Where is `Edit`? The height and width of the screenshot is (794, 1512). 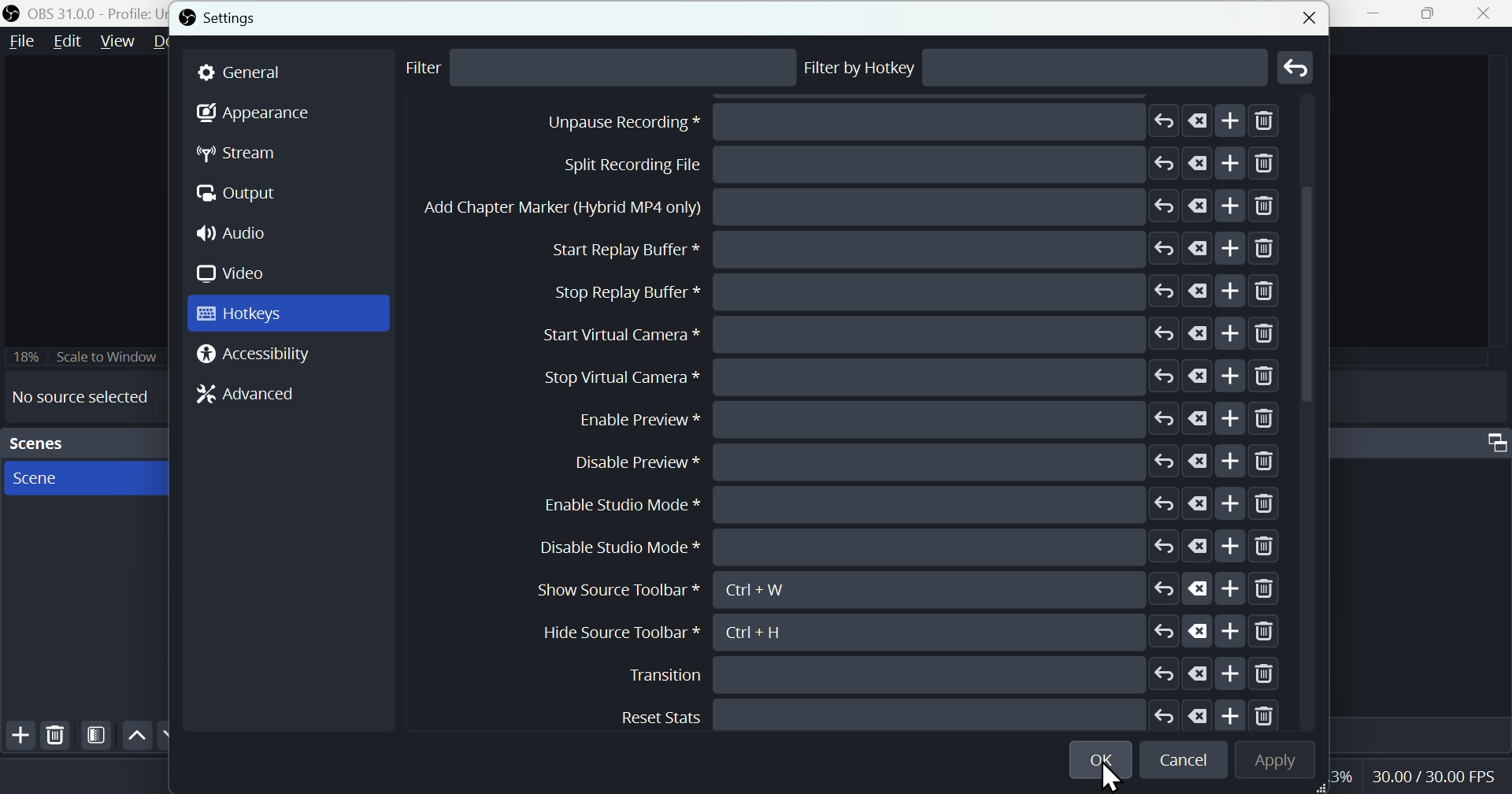
Edit is located at coordinates (67, 44).